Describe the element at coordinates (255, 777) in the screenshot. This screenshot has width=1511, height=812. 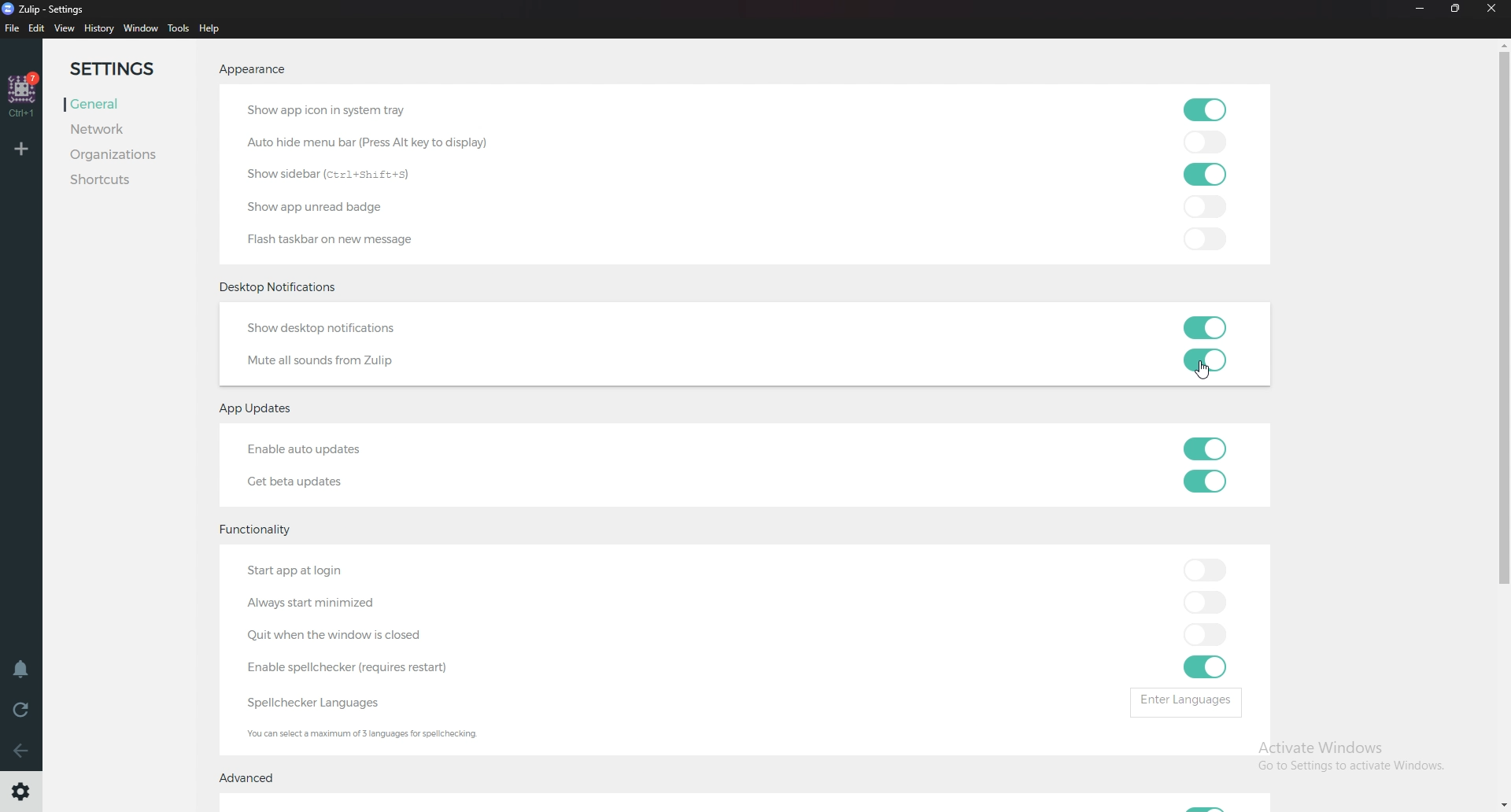
I see `Advanced` at that location.